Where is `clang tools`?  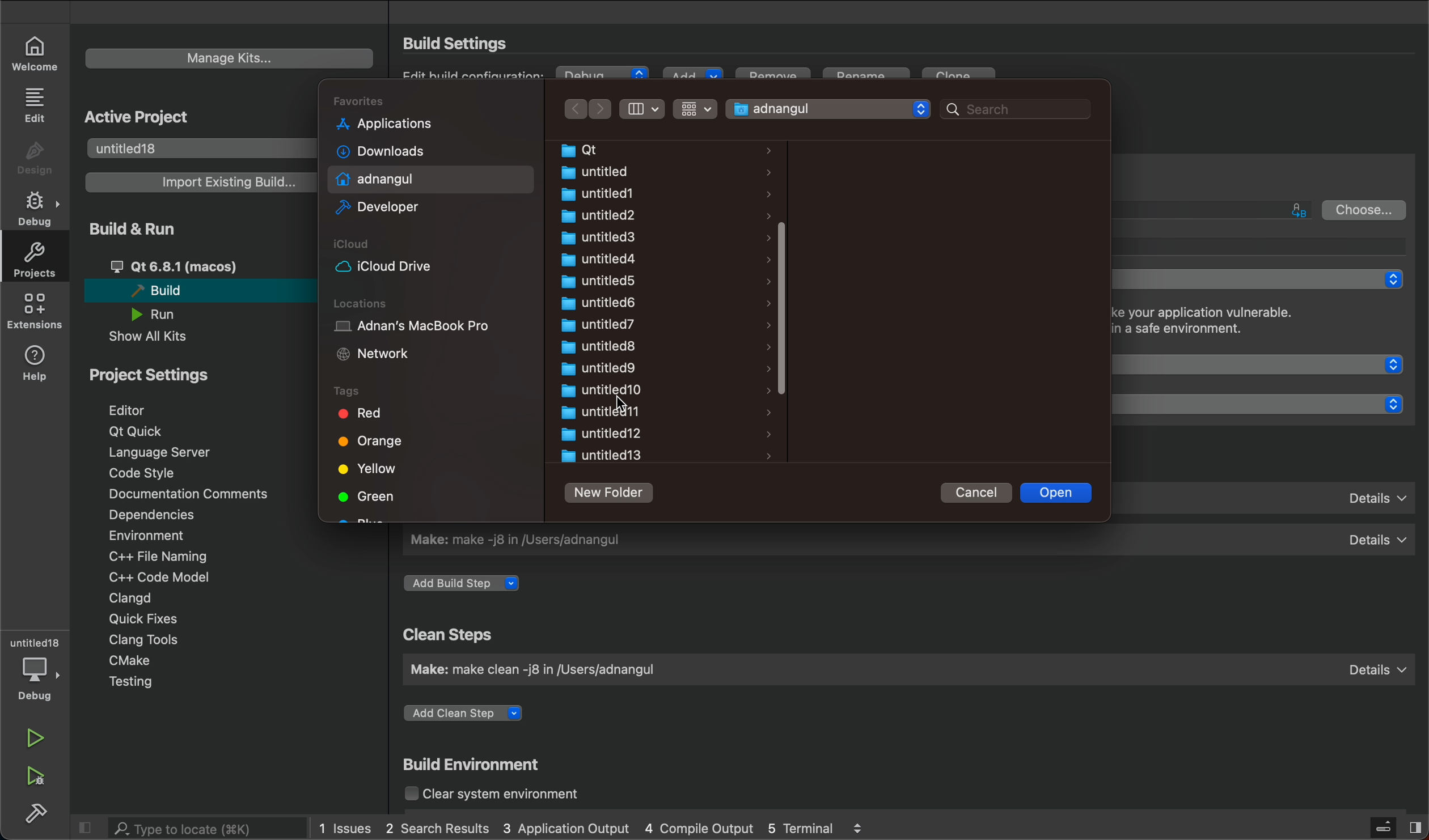 clang tools is located at coordinates (147, 639).